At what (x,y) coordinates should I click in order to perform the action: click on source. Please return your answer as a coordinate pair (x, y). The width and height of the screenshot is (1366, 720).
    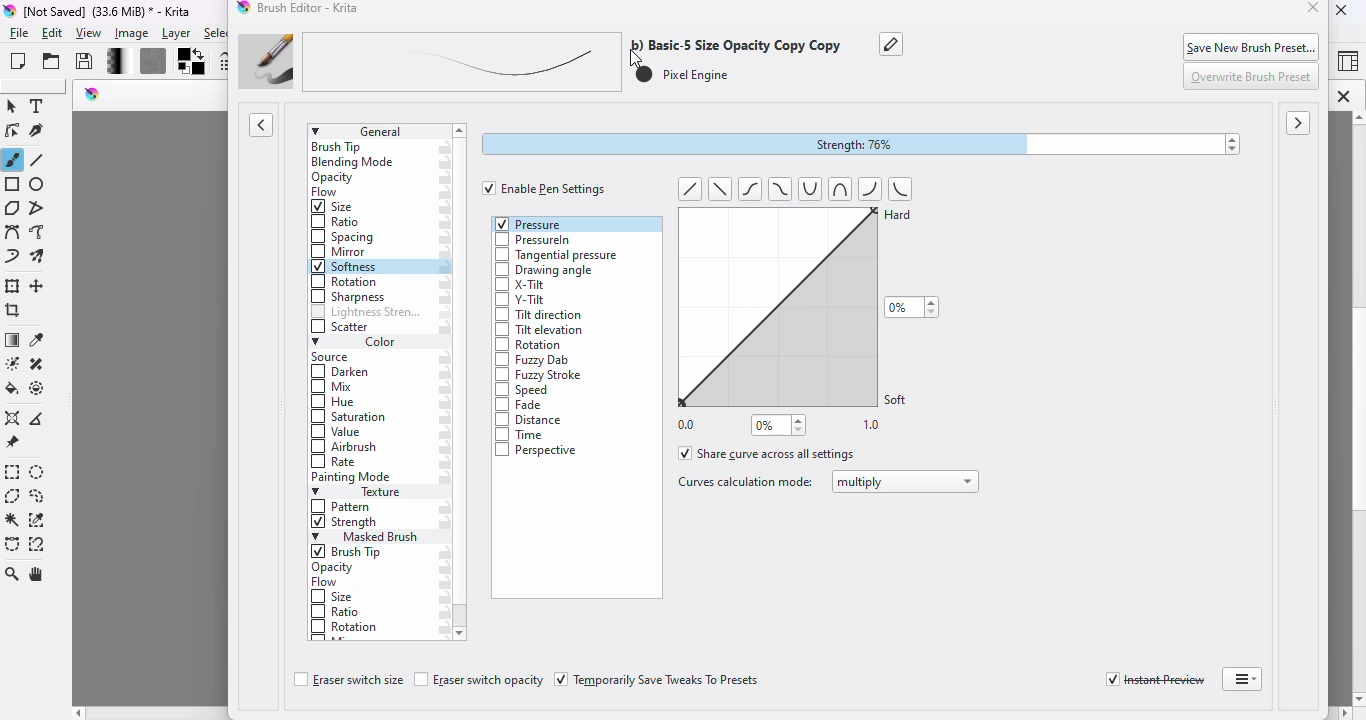
    Looking at the image, I should click on (334, 358).